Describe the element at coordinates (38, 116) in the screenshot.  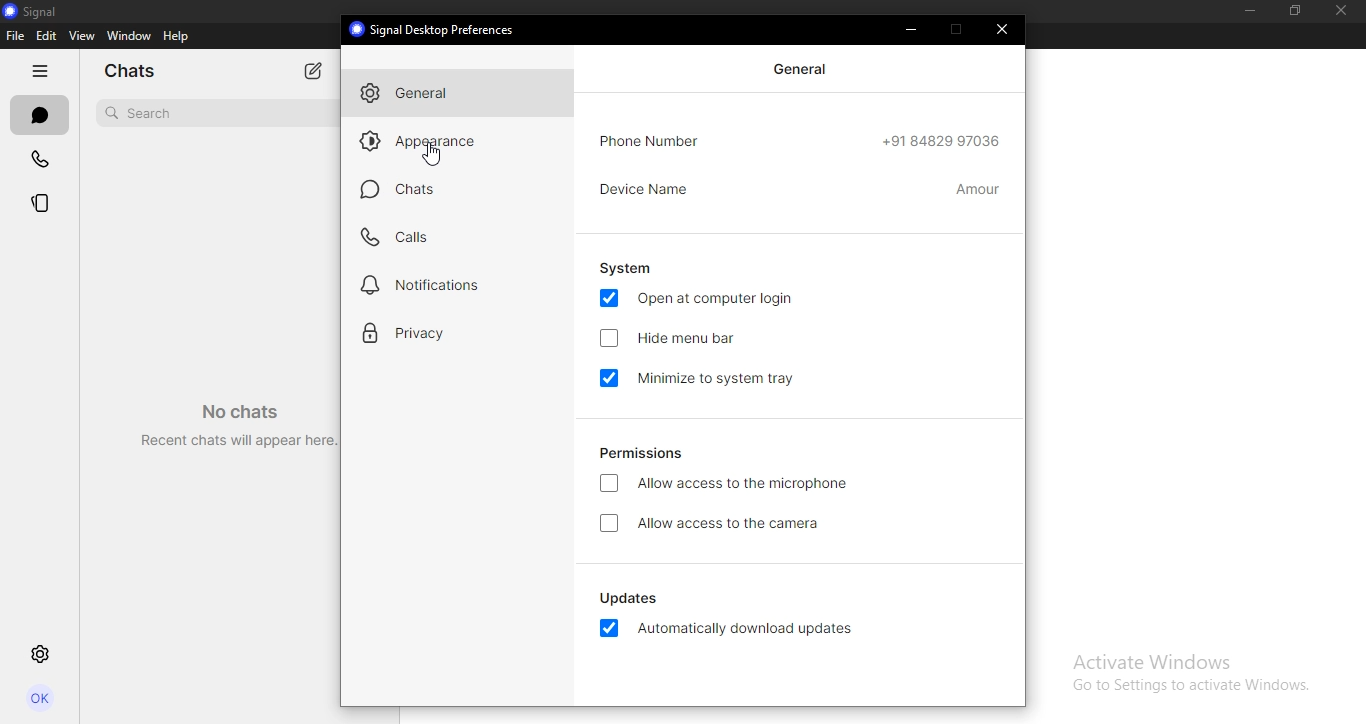
I see `chats` at that location.